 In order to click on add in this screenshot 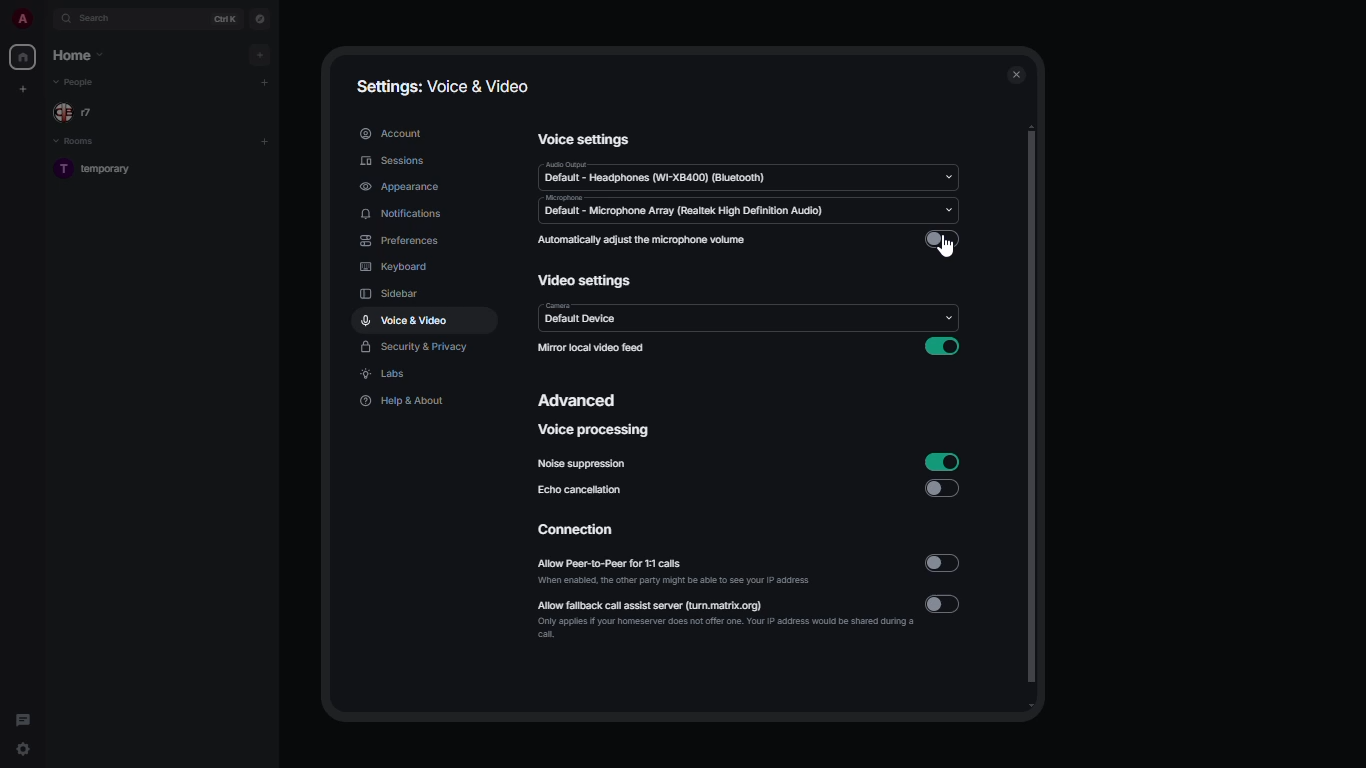, I will do `click(267, 141)`.